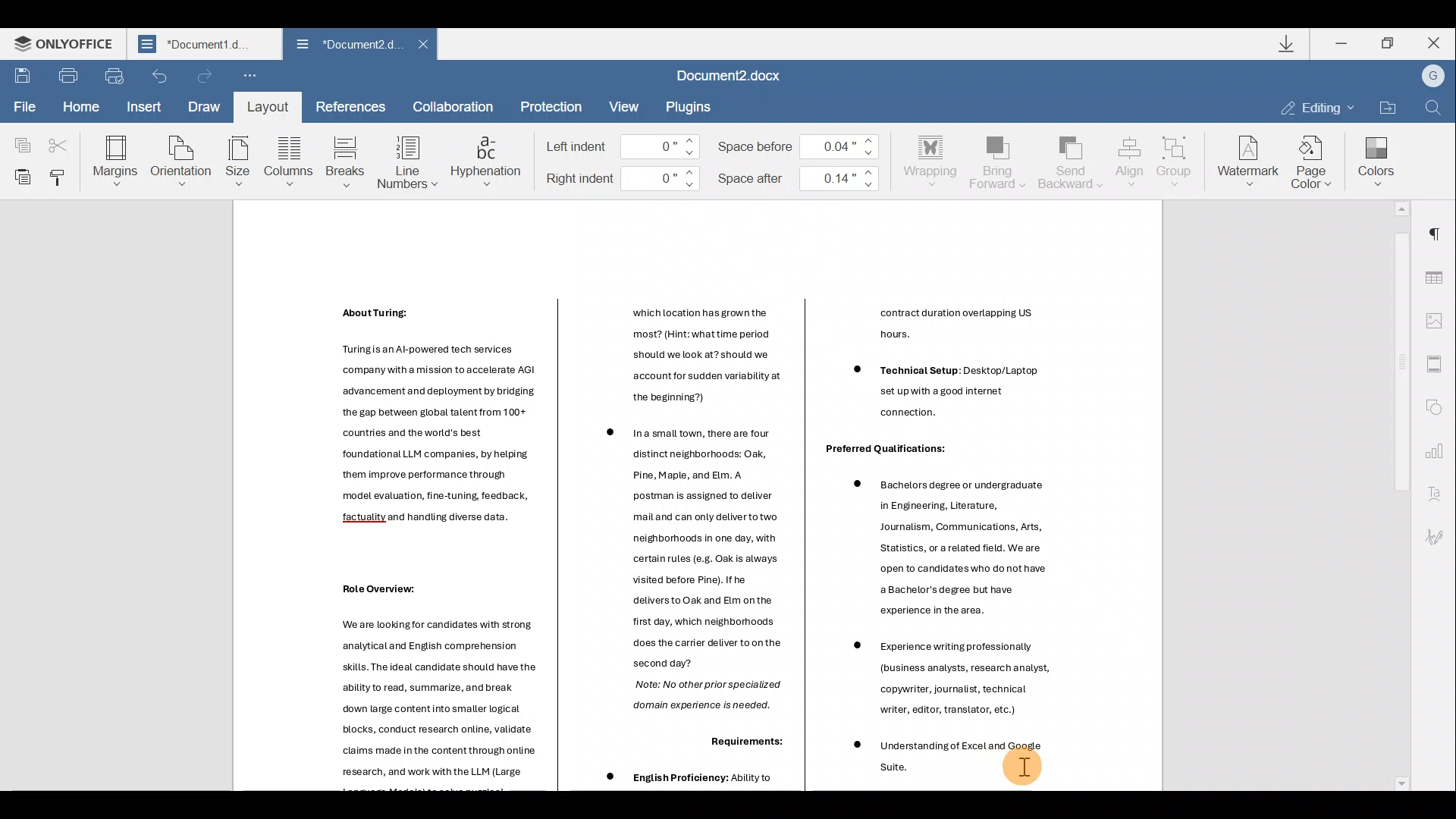 This screenshot has width=1456, height=819. Describe the element at coordinates (1130, 160) in the screenshot. I see `Align` at that location.